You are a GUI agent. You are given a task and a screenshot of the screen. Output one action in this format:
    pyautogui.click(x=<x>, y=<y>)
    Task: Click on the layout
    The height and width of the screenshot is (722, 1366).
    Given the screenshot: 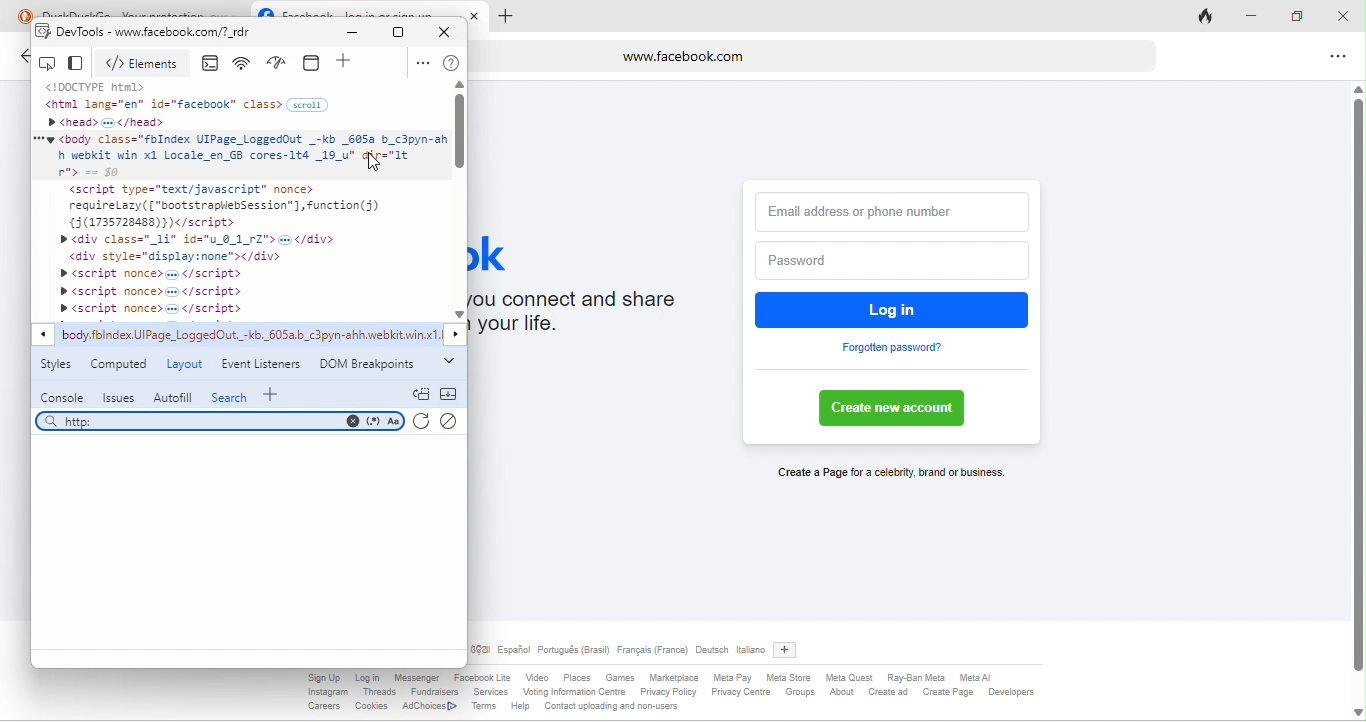 What is the action you would take?
    pyautogui.click(x=185, y=365)
    